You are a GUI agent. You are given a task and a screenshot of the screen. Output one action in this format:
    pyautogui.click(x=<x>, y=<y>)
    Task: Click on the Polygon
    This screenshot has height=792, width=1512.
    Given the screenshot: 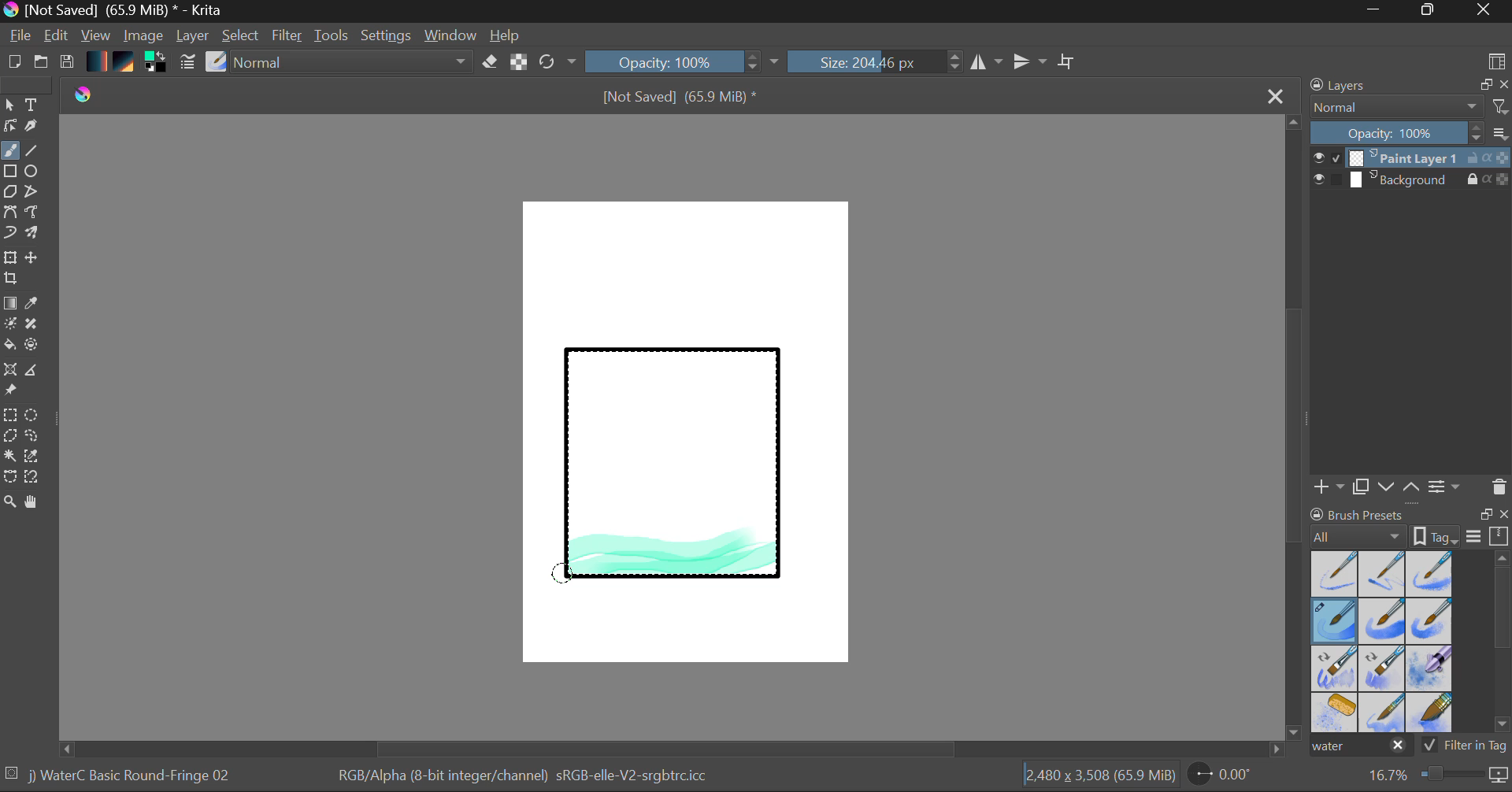 What is the action you would take?
    pyautogui.click(x=9, y=192)
    